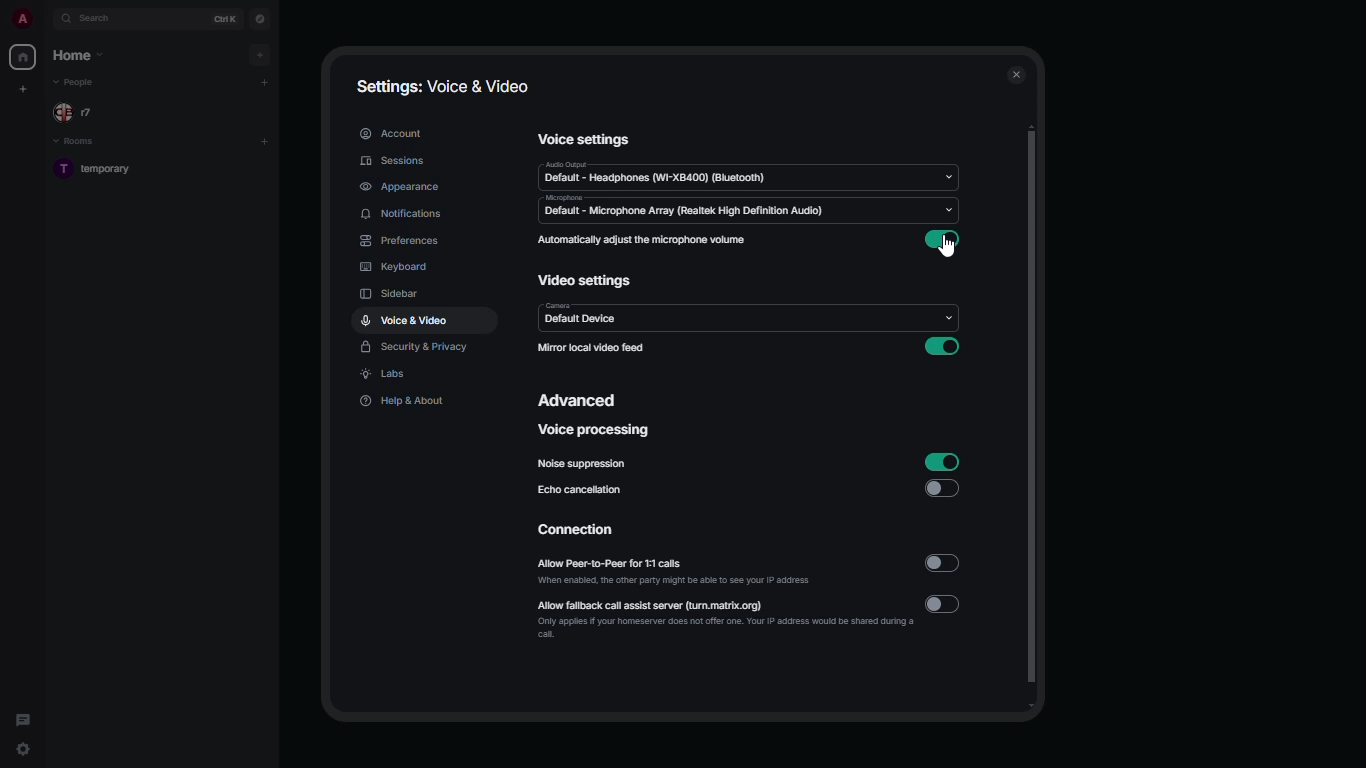 Image resolution: width=1366 pixels, height=768 pixels. Describe the element at coordinates (585, 465) in the screenshot. I see `noise suppression` at that location.